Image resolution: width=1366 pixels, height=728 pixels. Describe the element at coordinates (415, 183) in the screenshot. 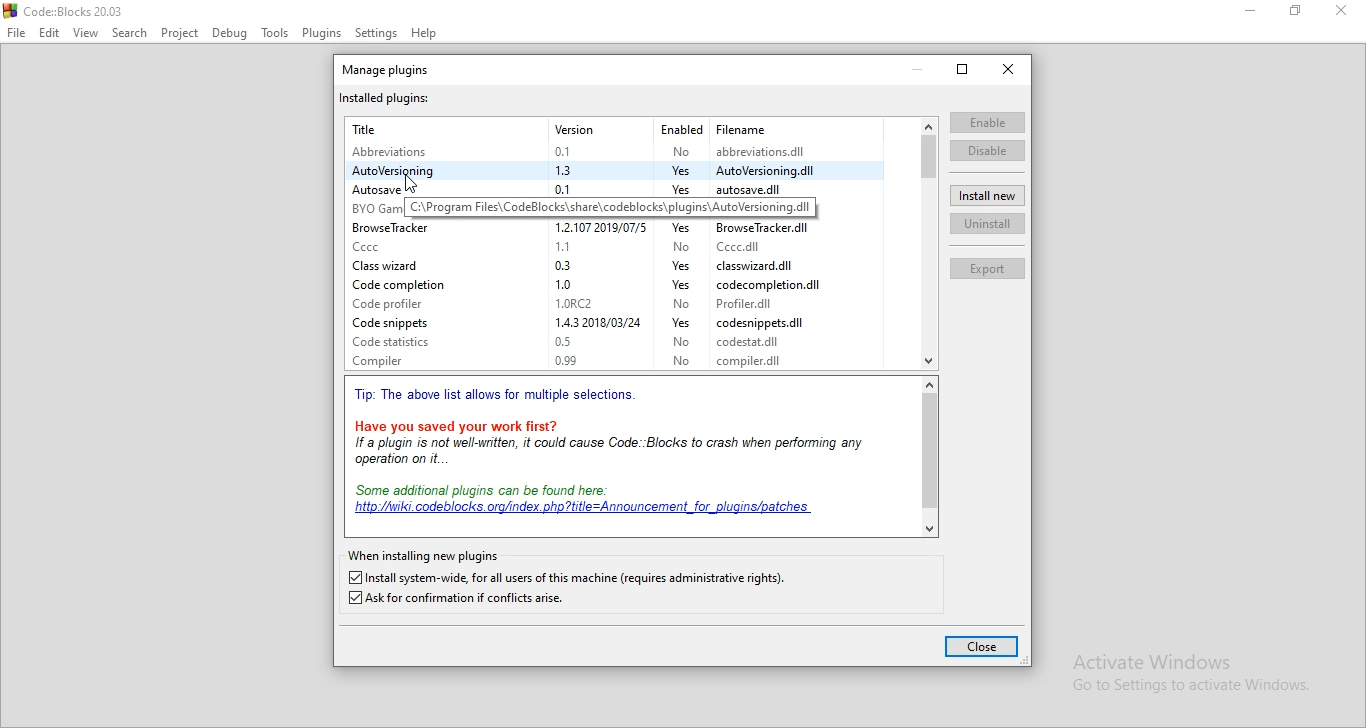

I see `Cursor` at that location.